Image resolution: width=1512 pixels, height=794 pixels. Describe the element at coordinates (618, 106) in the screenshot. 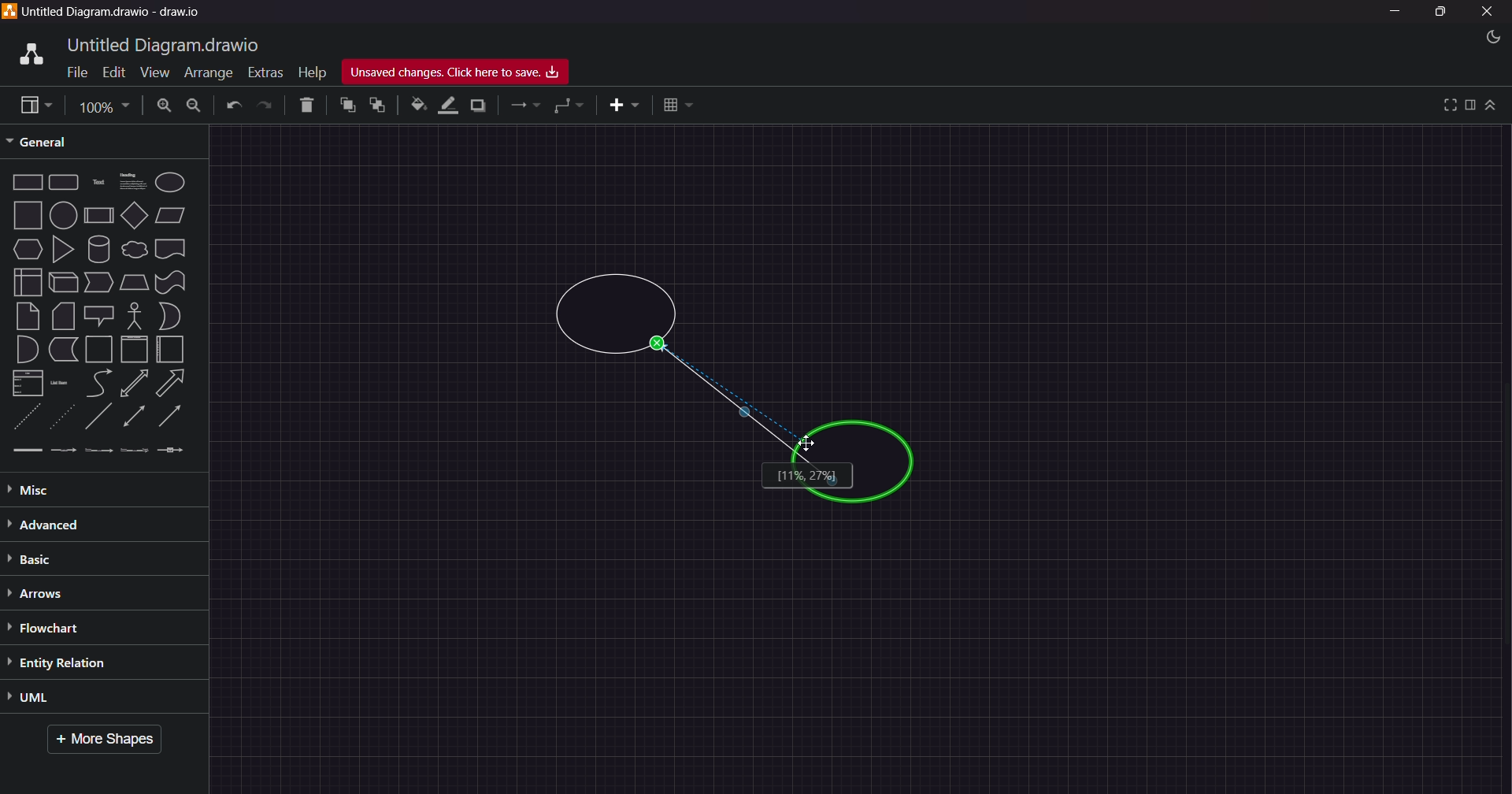

I see `insert` at that location.